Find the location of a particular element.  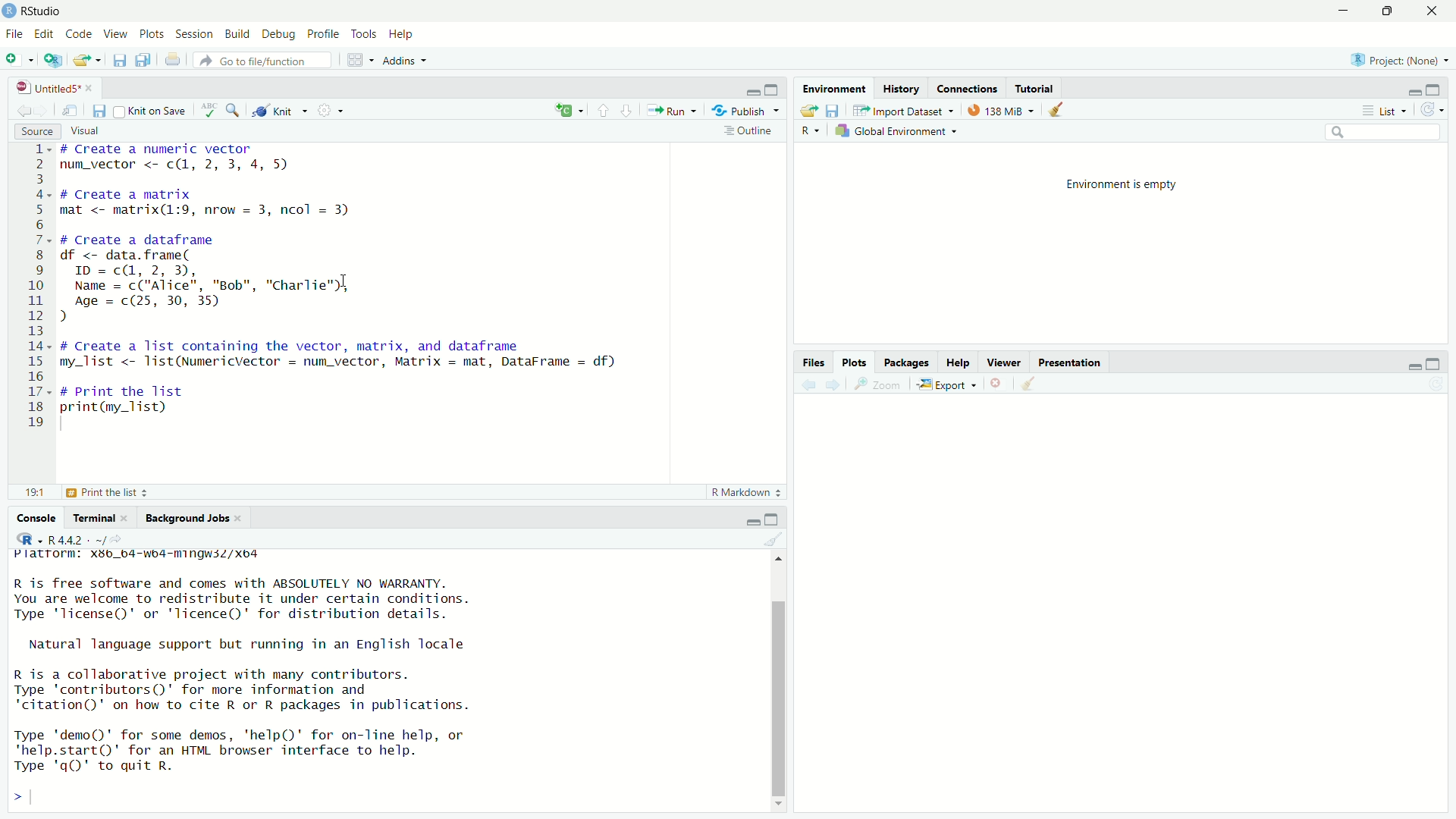

19:1 is located at coordinates (36, 493).